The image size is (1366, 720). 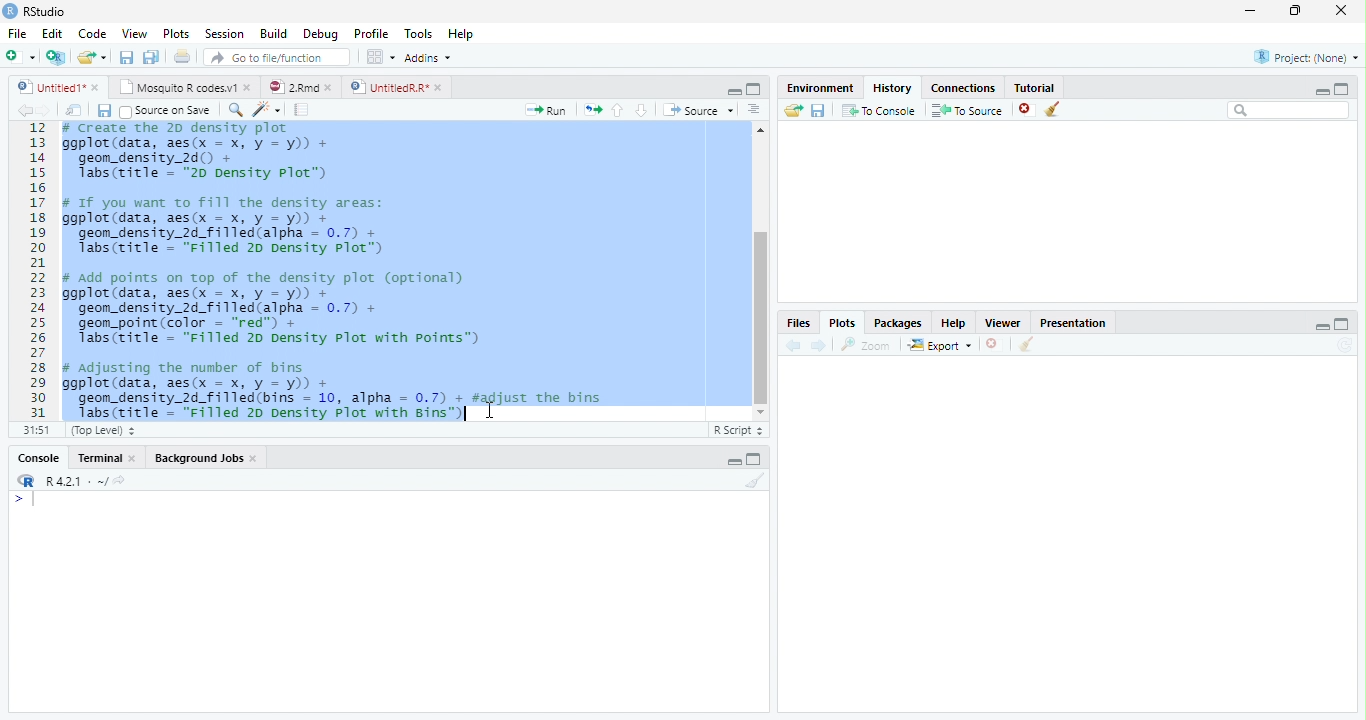 I want to click on ‘Mosquito R codes.v1, so click(x=178, y=87).